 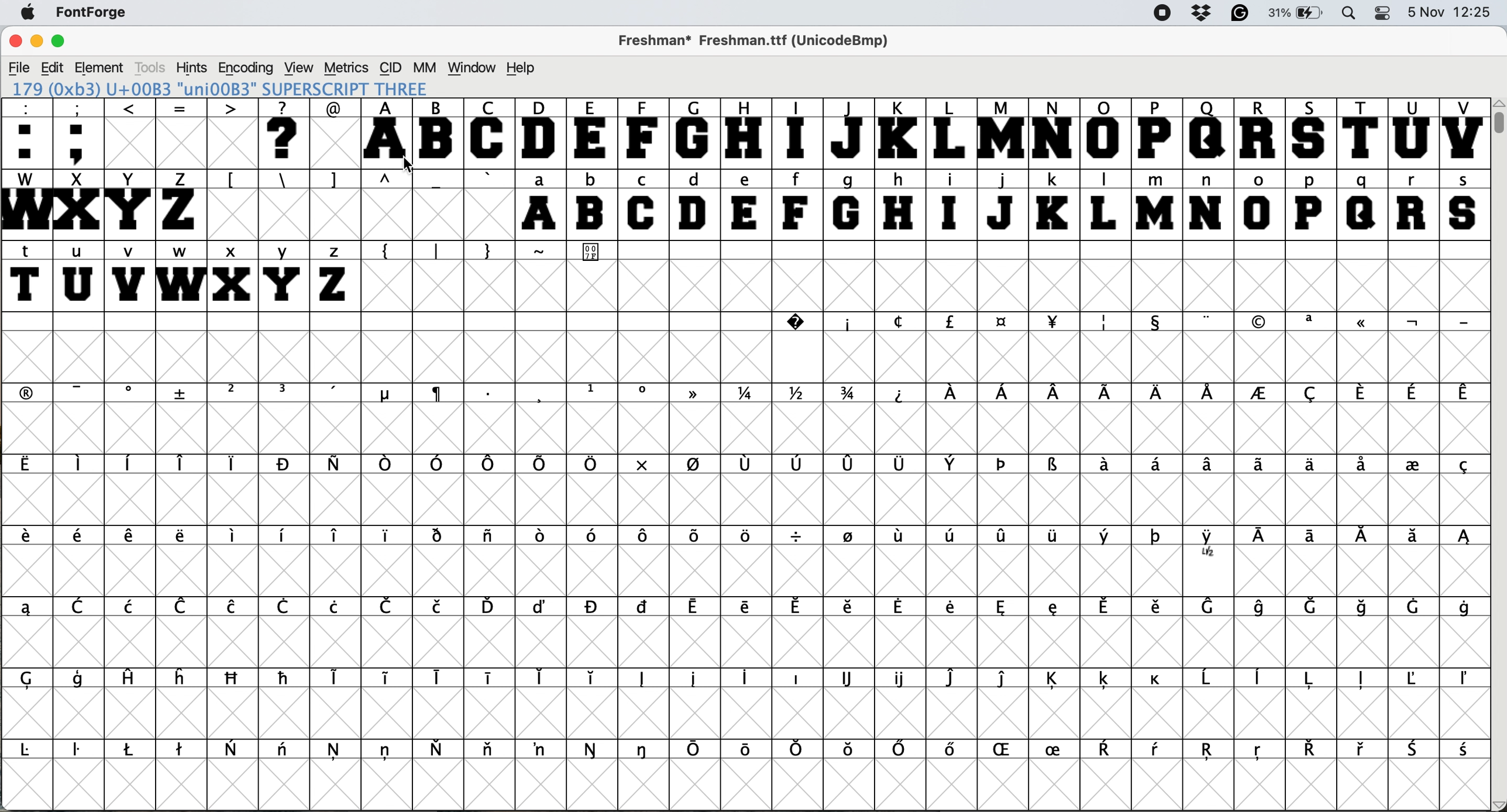 I want to click on symbol, so click(x=954, y=612).